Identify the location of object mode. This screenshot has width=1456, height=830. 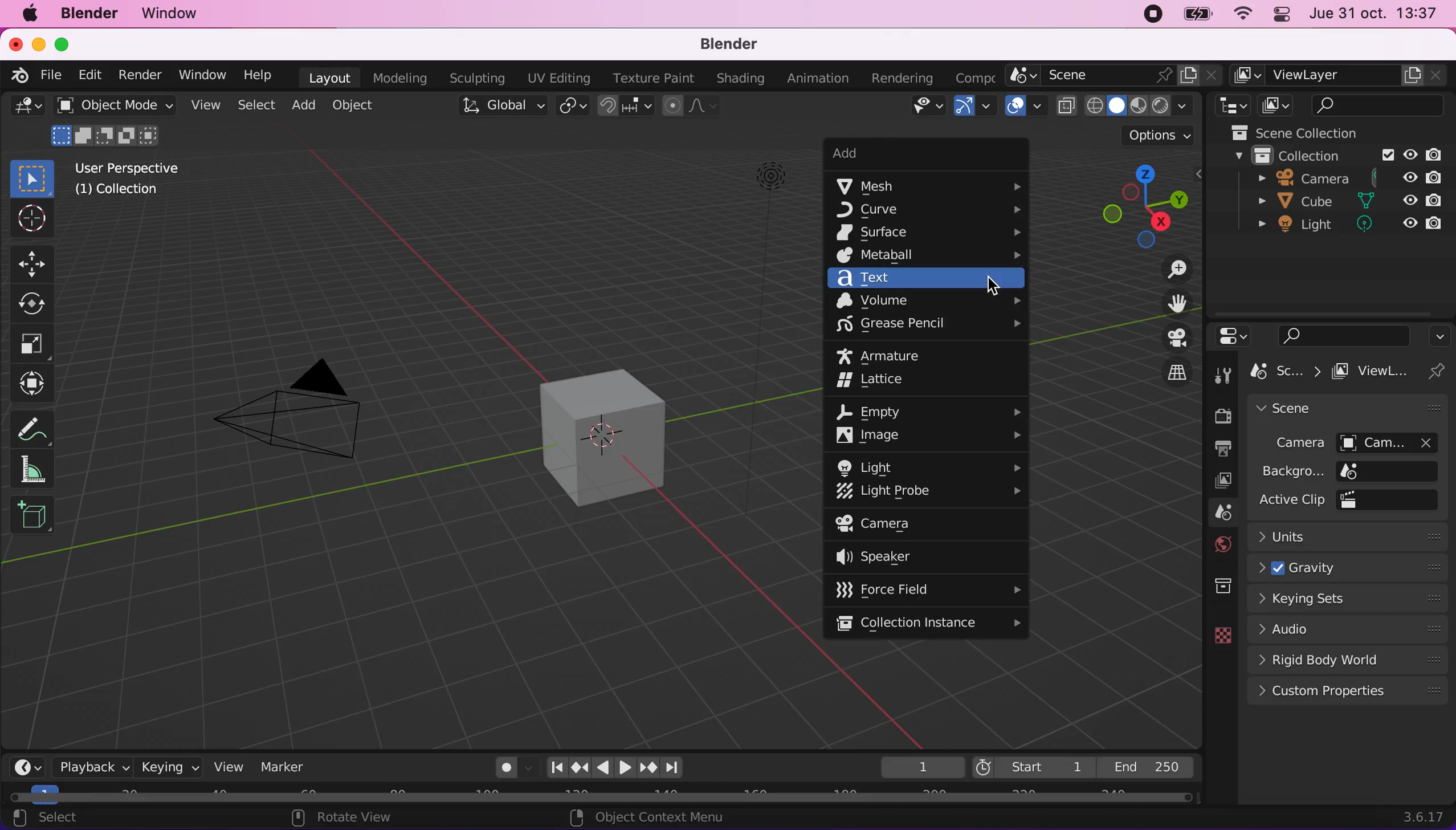
(111, 125).